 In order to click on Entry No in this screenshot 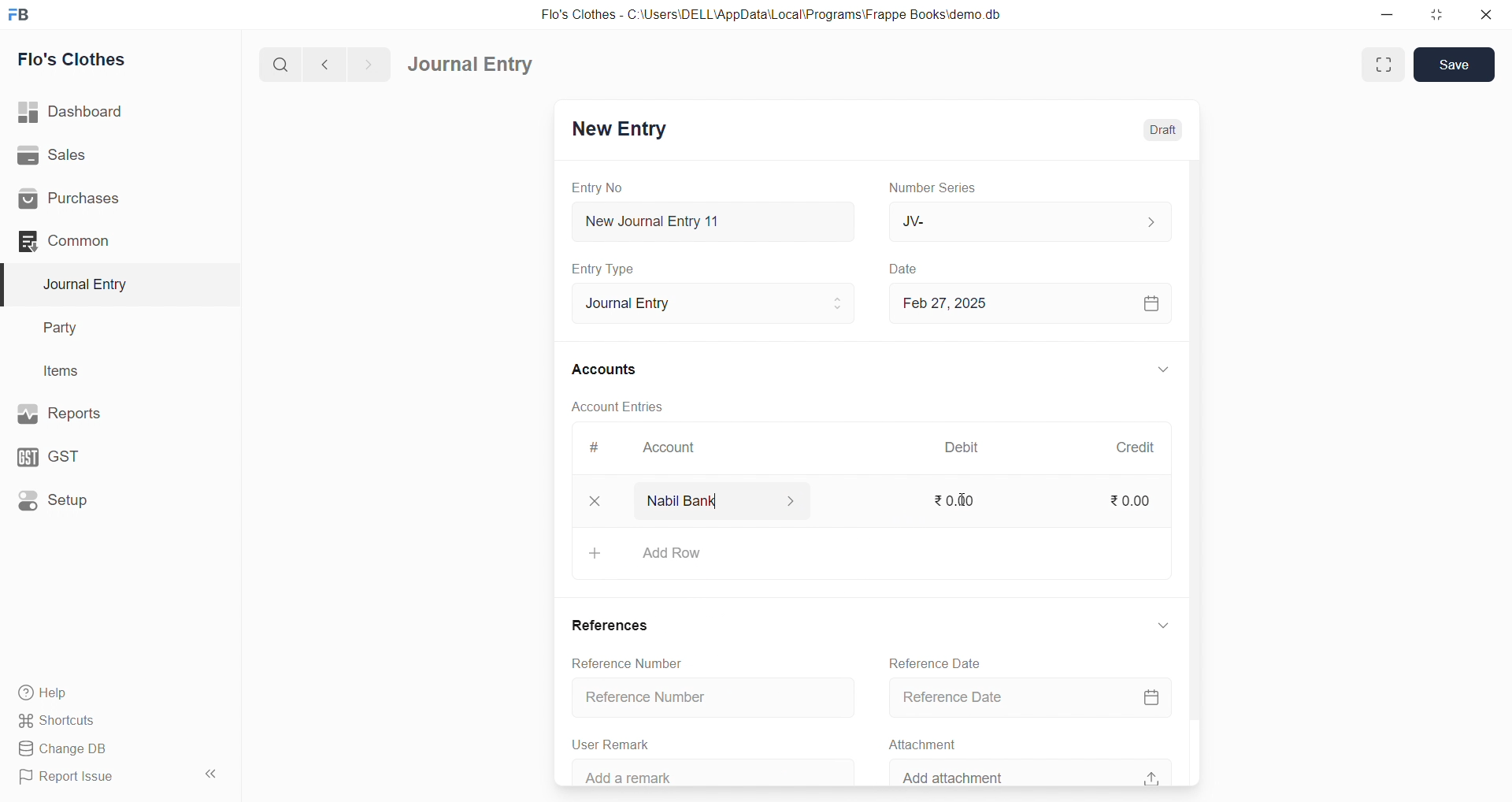, I will do `click(597, 188)`.